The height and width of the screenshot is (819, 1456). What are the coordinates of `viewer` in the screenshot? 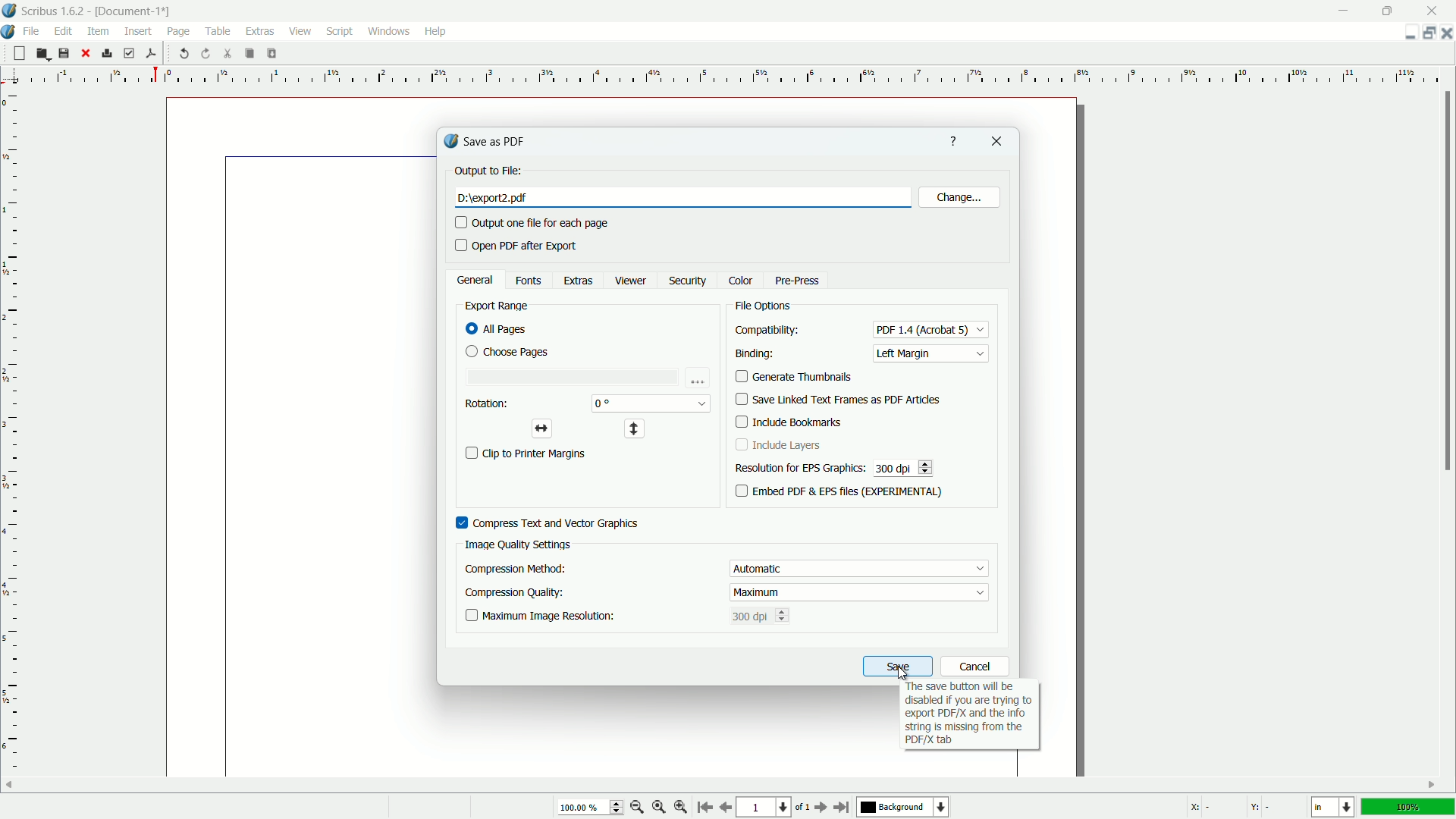 It's located at (630, 281).